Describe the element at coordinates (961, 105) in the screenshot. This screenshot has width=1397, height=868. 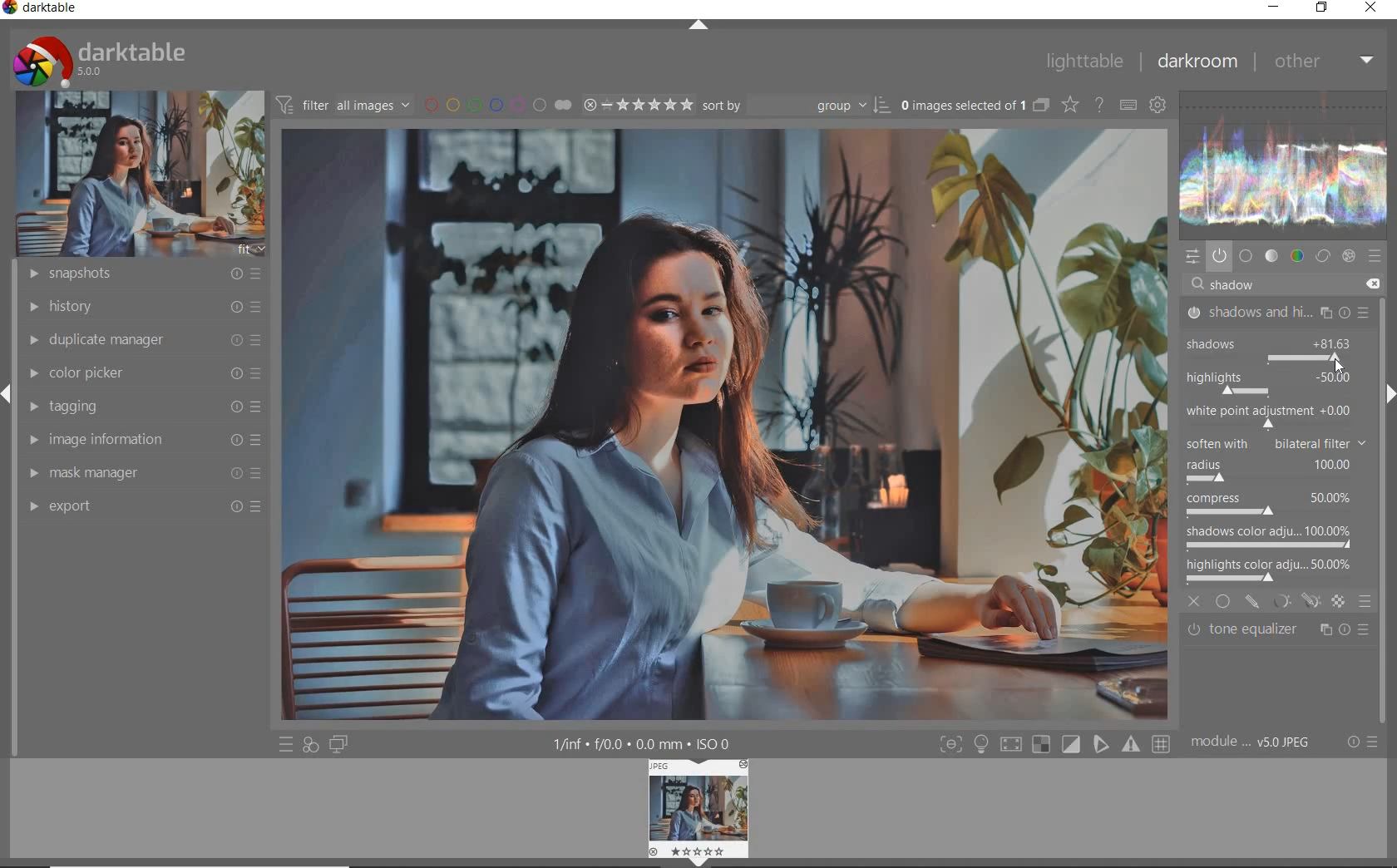
I see `selected images` at that location.